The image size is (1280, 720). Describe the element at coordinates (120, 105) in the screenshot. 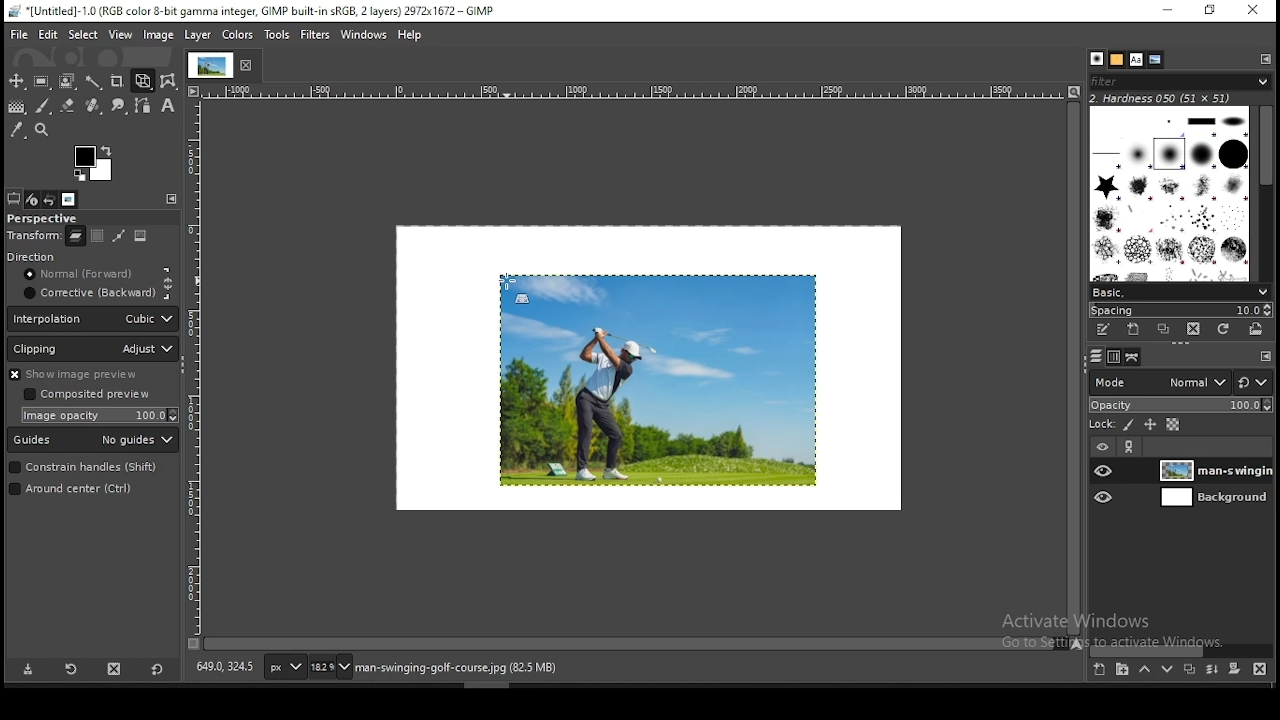

I see `smudge tool` at that location.